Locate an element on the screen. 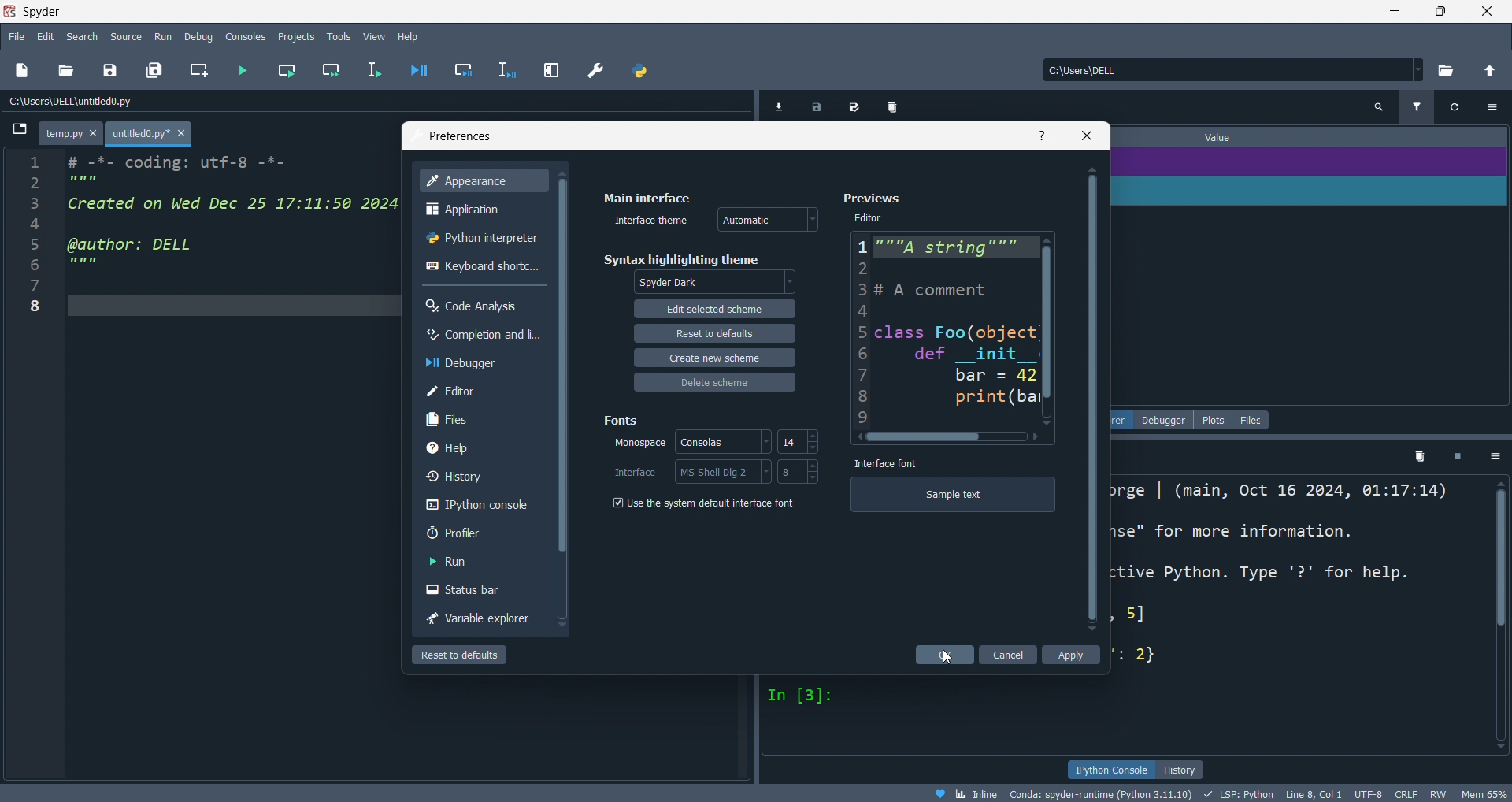  LSP Python is located at coordinates (1236, 793).